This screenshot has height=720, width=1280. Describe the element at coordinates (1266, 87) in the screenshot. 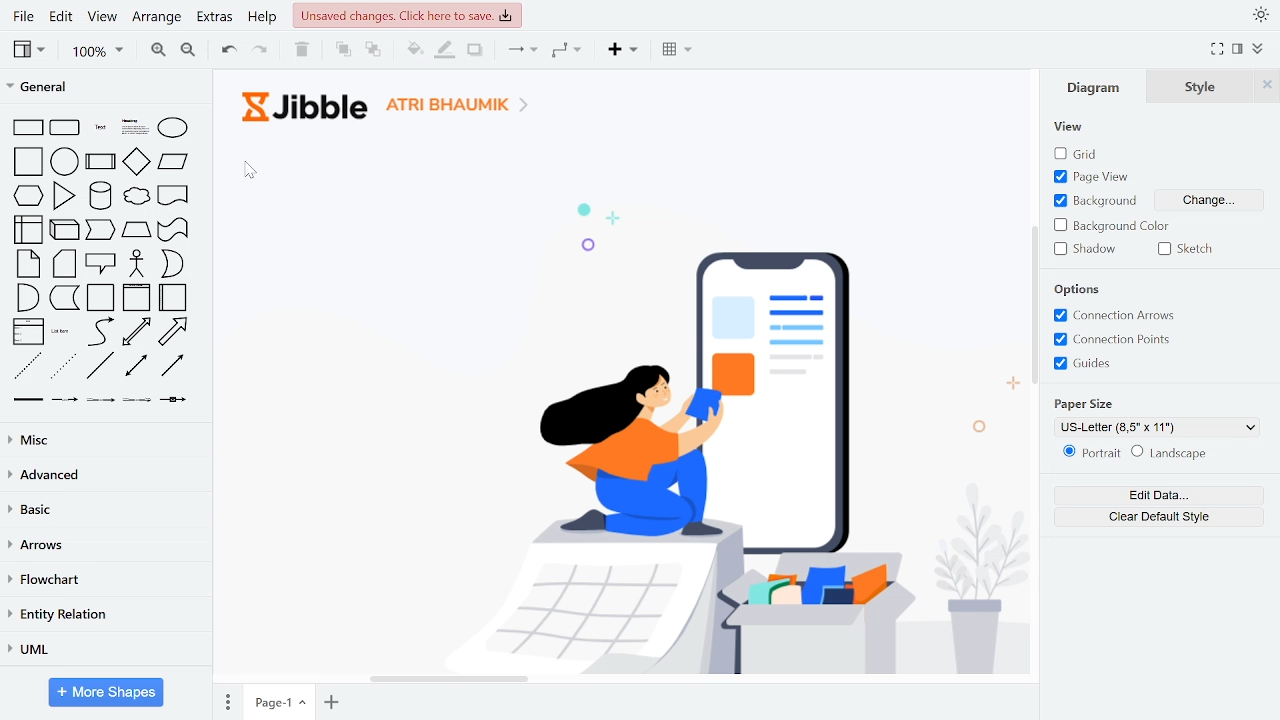

I see `close` at that location.